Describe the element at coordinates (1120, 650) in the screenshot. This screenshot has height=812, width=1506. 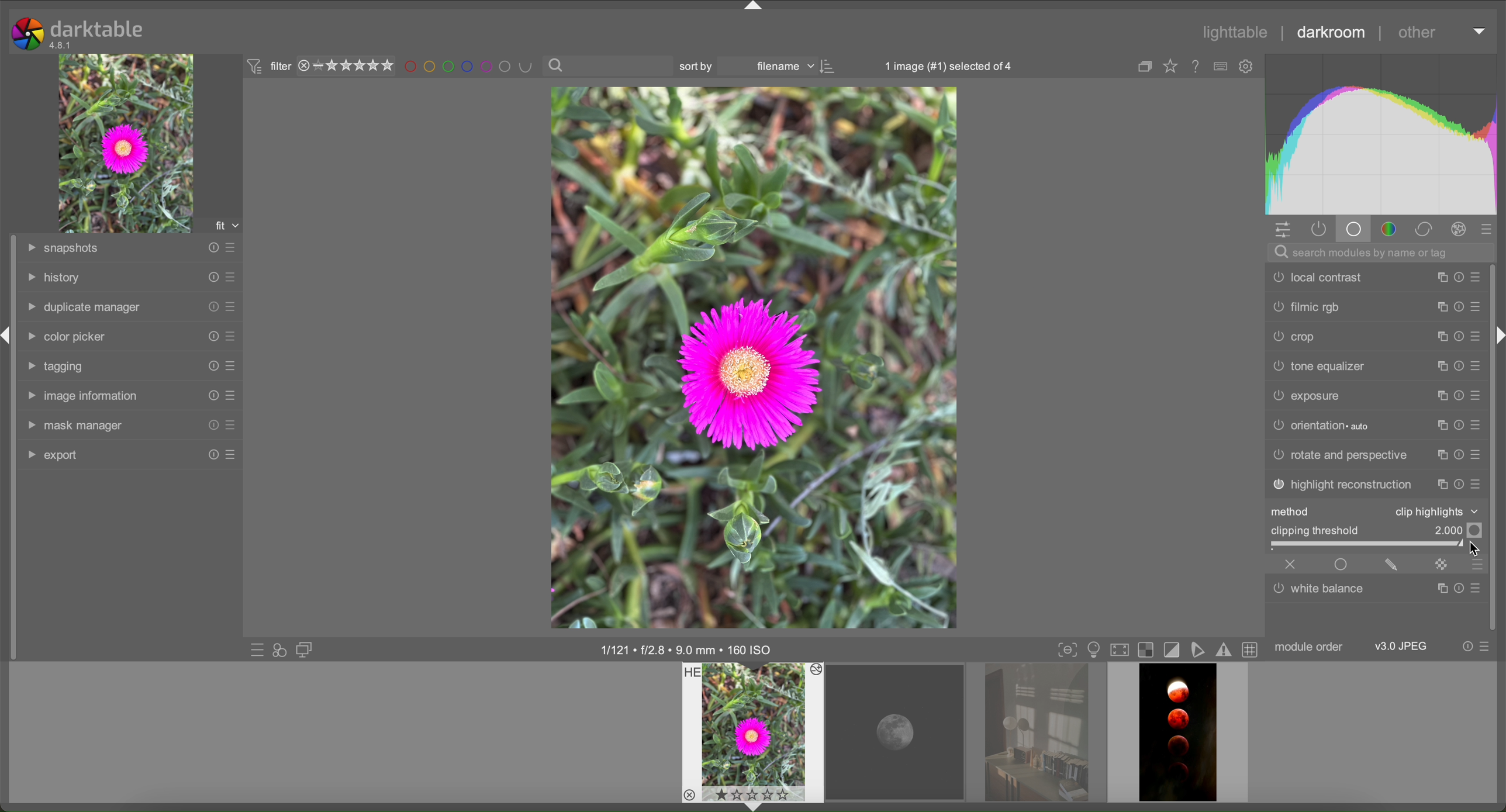
I see `set display profile` at that location.